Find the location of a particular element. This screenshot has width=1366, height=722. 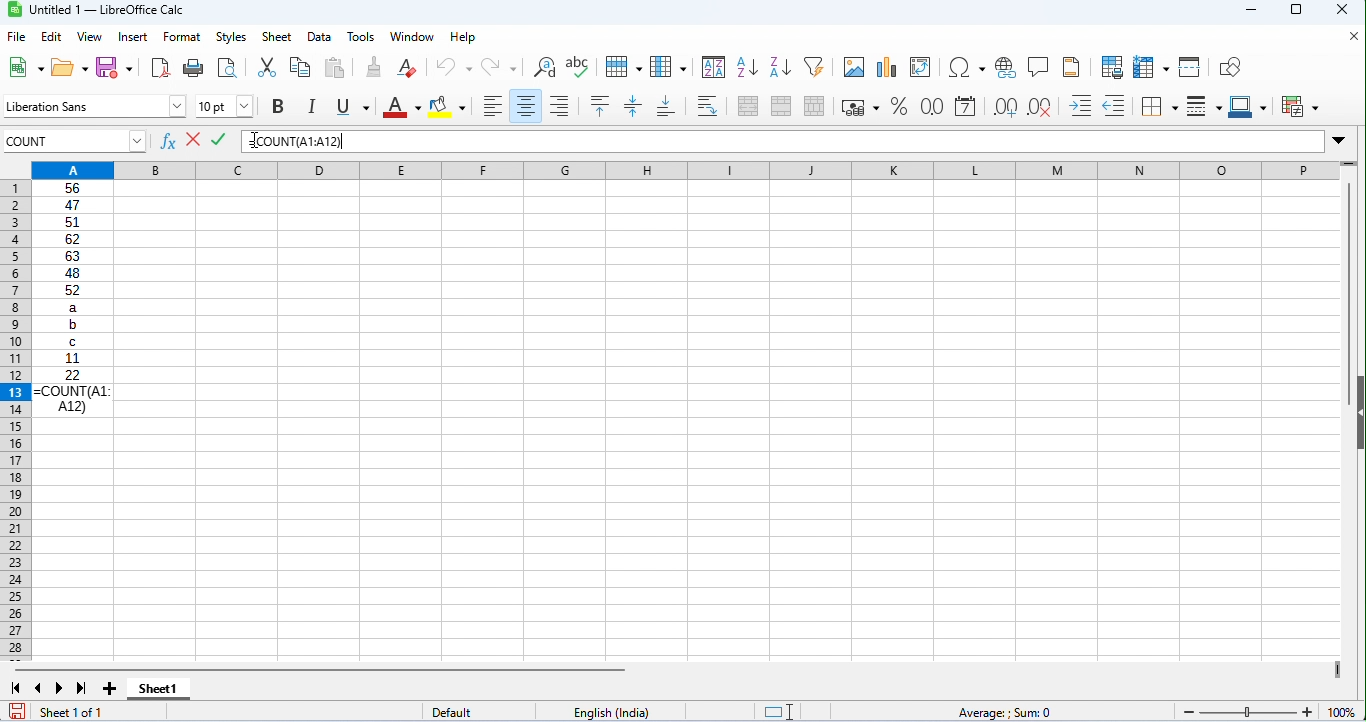

add decimal place is located at coordinates (1005, 107).